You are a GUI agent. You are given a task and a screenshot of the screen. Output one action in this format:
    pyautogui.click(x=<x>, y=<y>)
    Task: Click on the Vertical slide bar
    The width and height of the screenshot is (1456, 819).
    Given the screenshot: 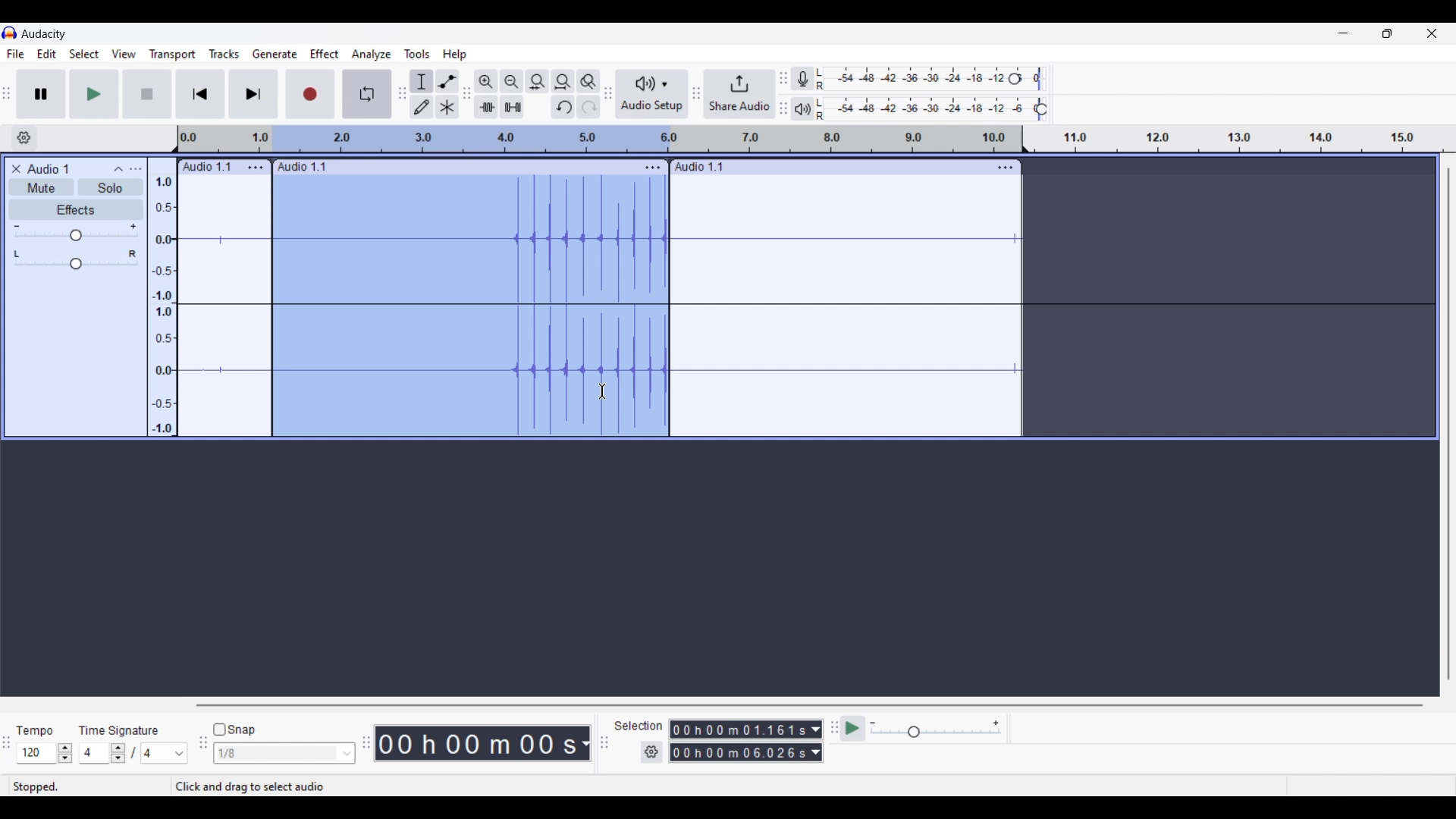 What is the action you would take?
    pyautogui.click(x=1448, y=423)
    